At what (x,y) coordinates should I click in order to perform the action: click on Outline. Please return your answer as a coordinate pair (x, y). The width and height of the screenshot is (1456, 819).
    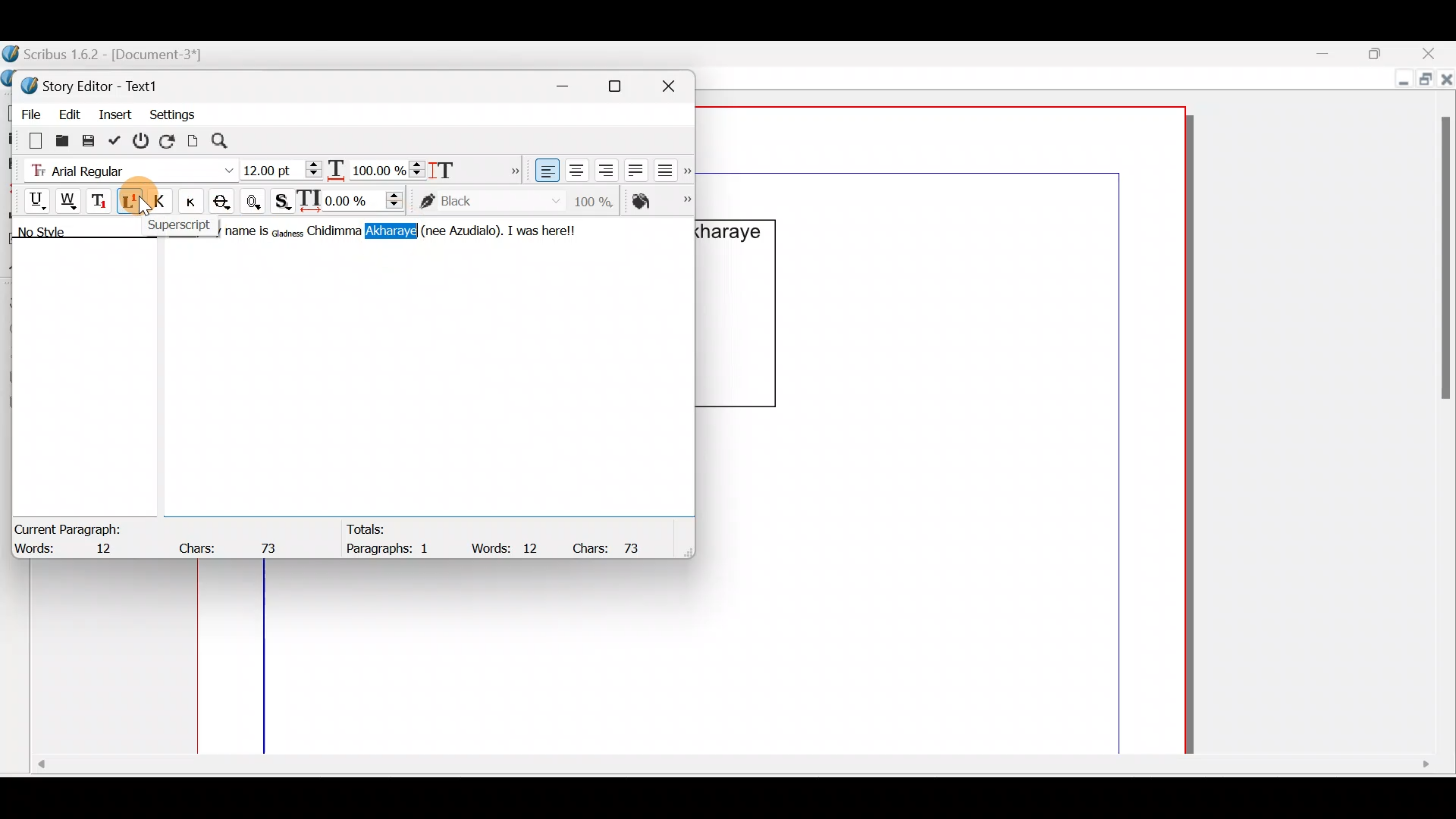
    Looking at the image, I should click on (256, 199).